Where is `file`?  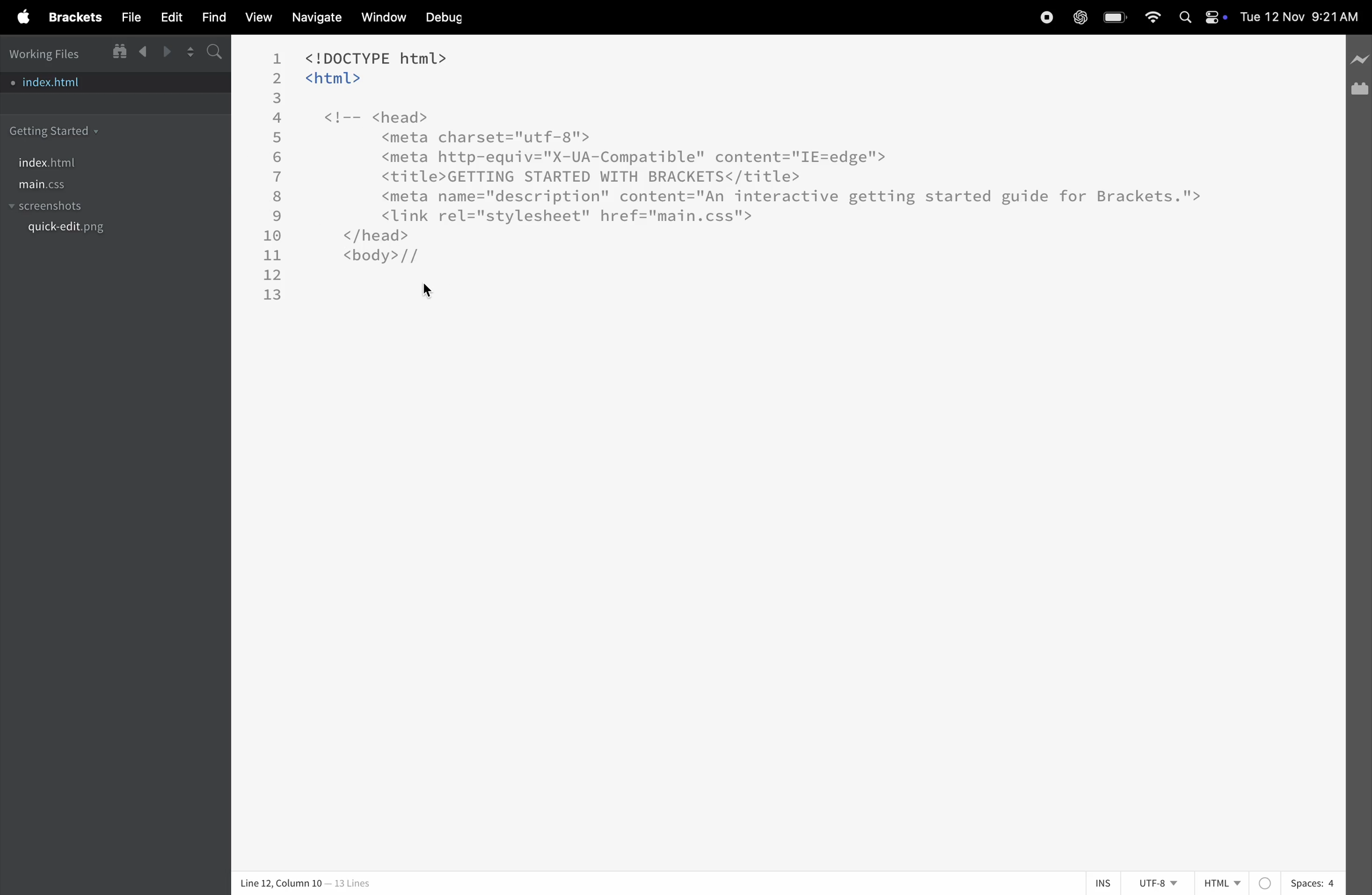 file is located at coordinates (126, 17).